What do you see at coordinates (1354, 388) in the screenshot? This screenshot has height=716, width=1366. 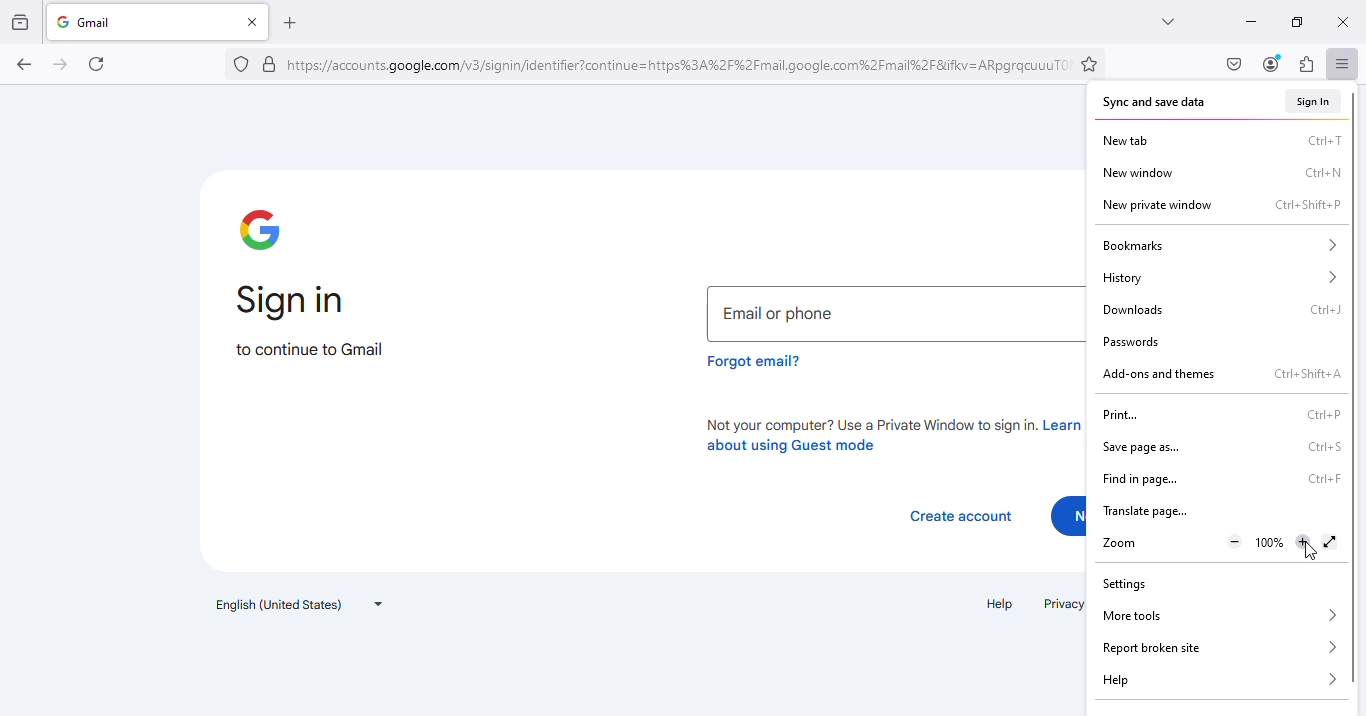 I see `vertical scroll bar` at bounding box center [1354, 388].